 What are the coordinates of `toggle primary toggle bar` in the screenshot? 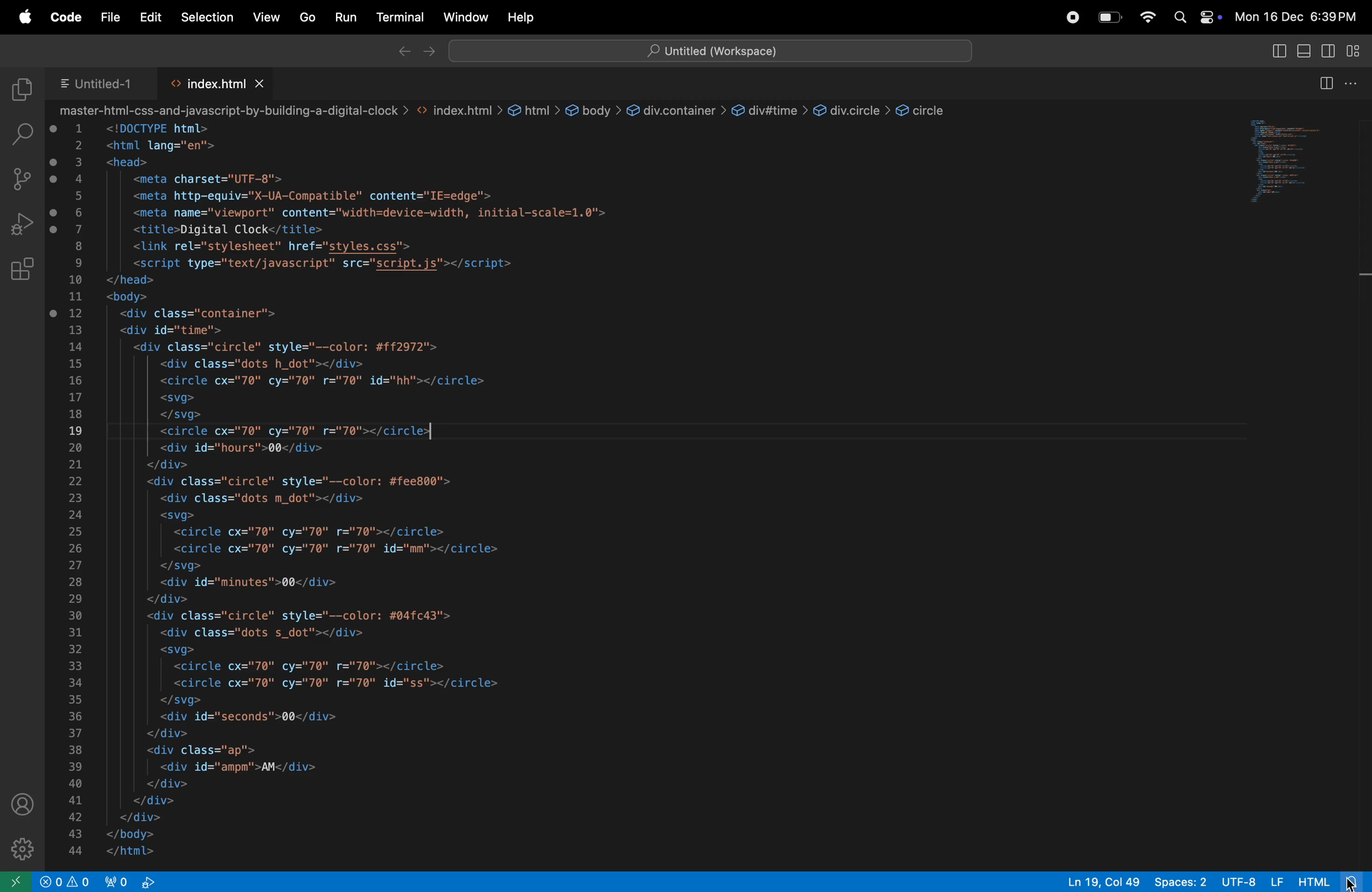 It's located at (1275, 51).